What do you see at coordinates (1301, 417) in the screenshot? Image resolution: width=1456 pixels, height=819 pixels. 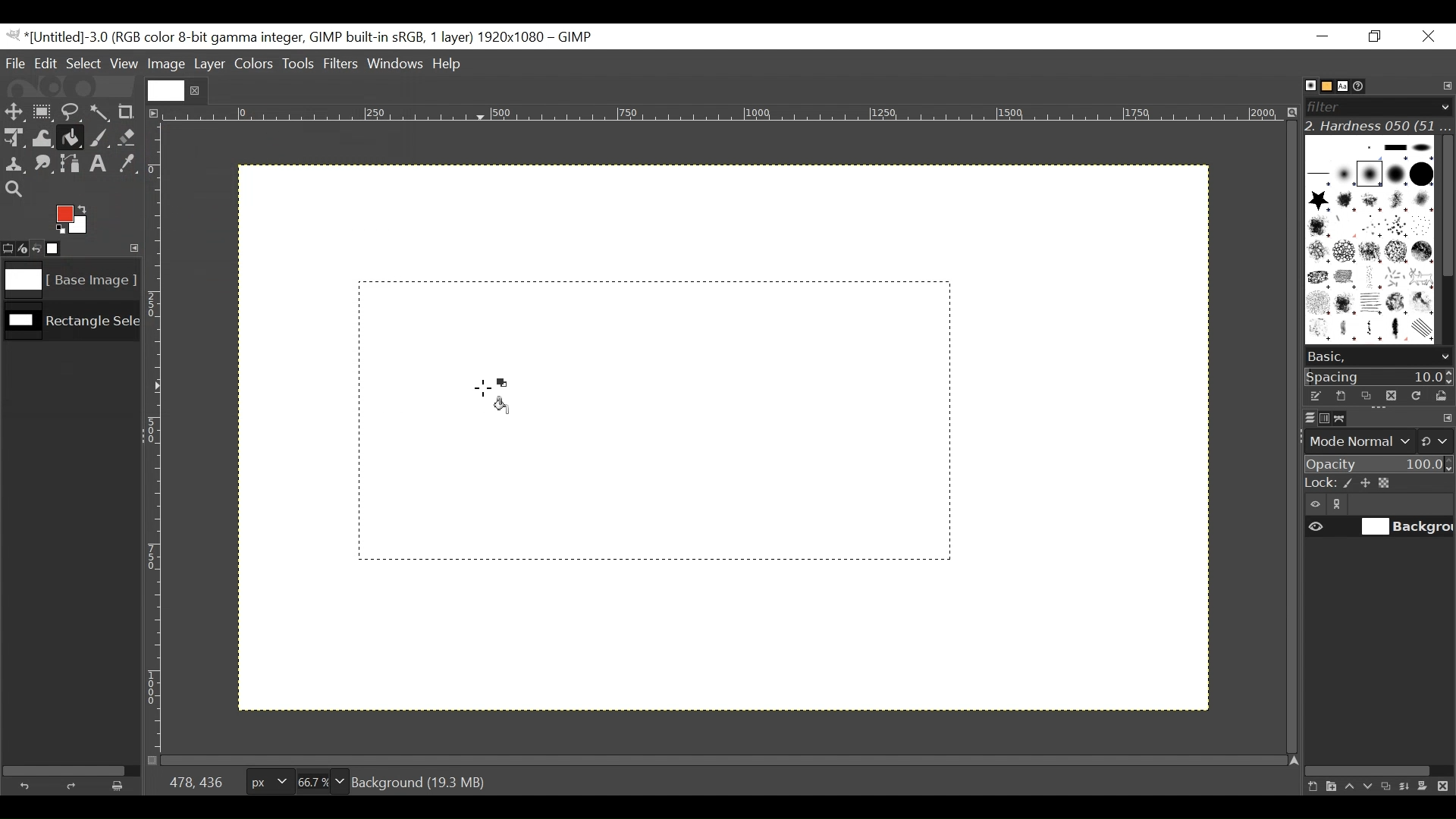 I see `Layers` at bounding box center [1301, 417].